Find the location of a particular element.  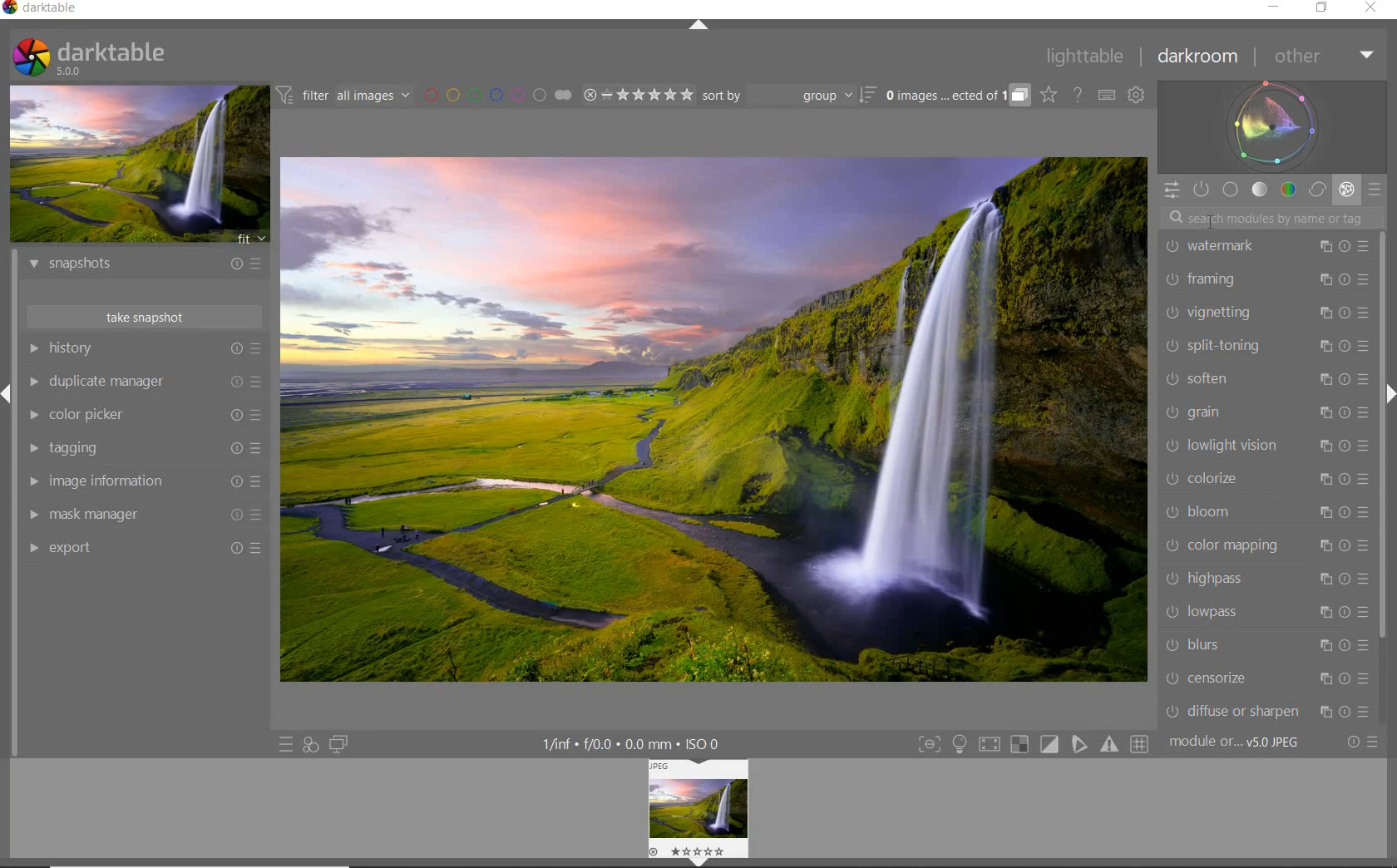

SELECTED IMAGE is located at coordinates (715, 417).